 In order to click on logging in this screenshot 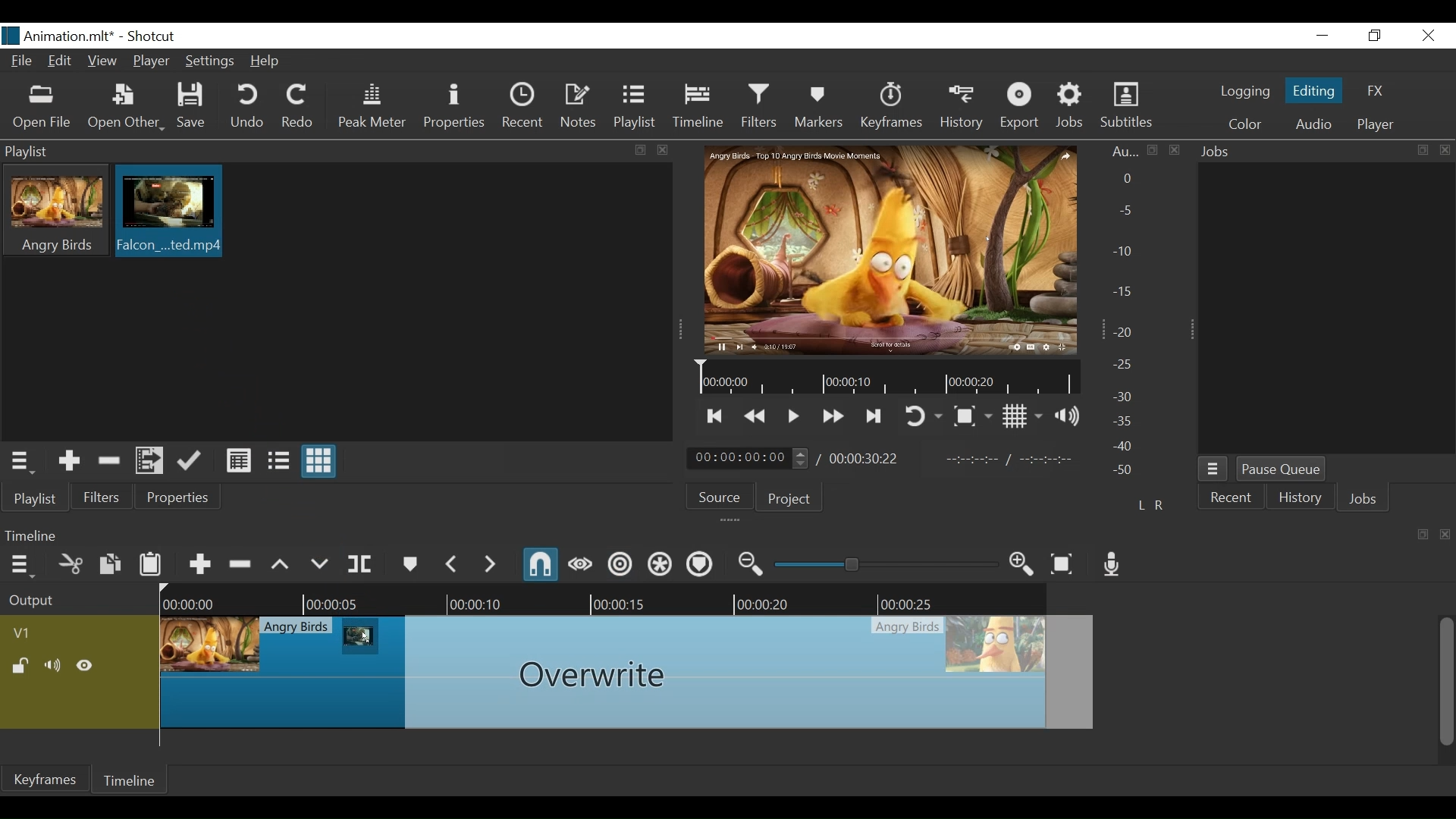, I will do `click(1244, 93)`.